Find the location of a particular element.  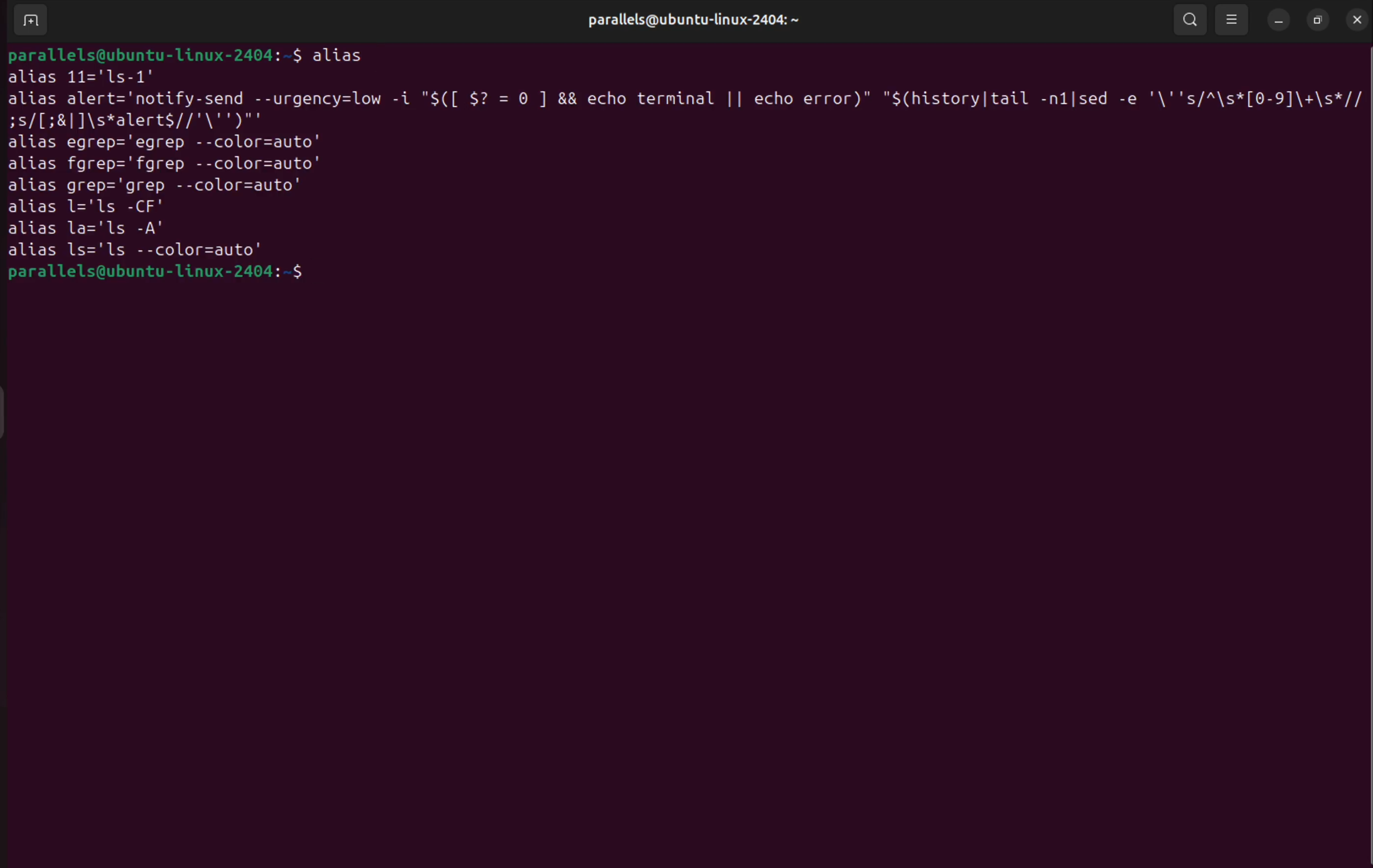

close is located at coordinates (1358, 19).